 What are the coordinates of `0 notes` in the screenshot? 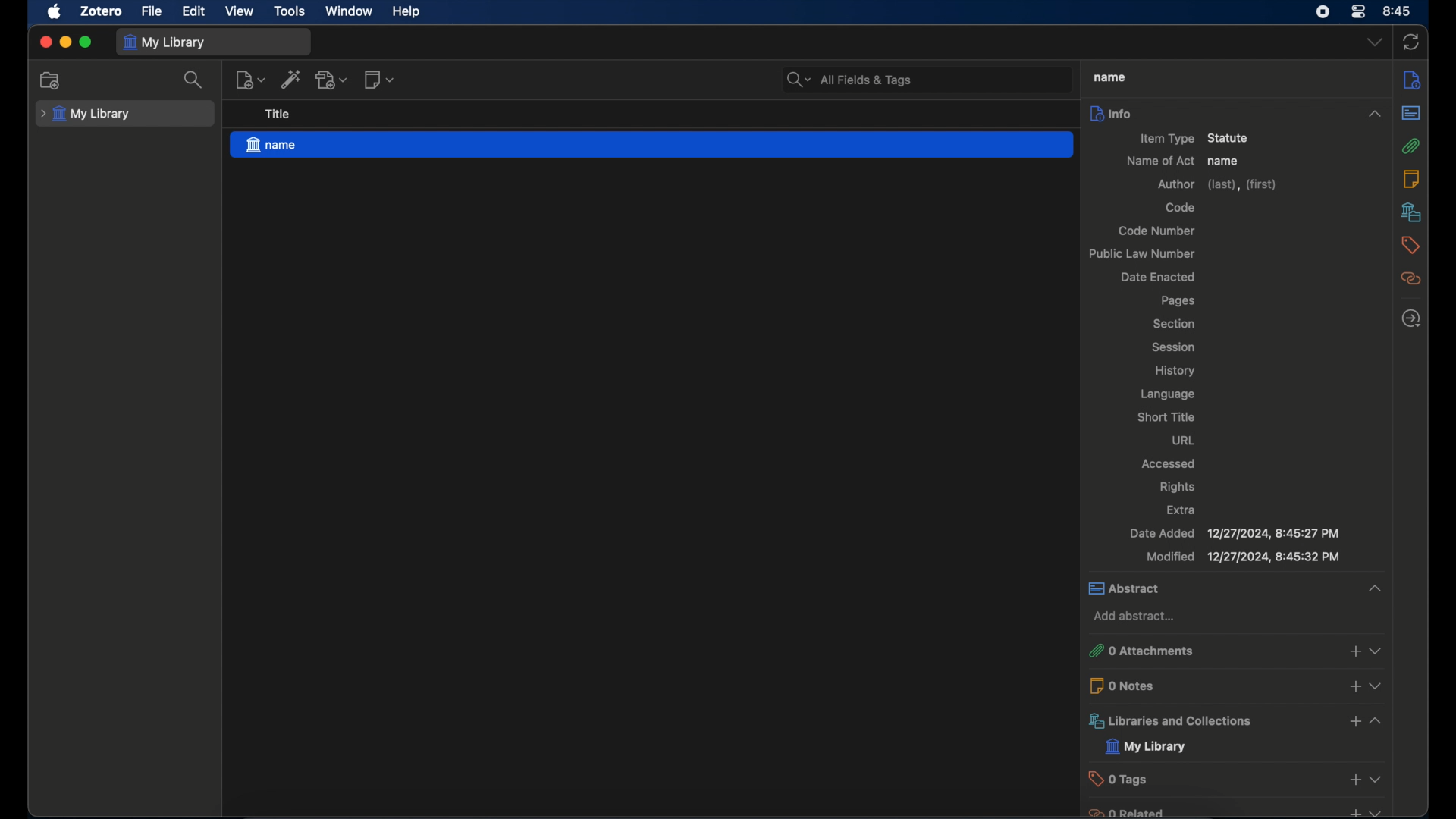 It's located at (1211, 686).